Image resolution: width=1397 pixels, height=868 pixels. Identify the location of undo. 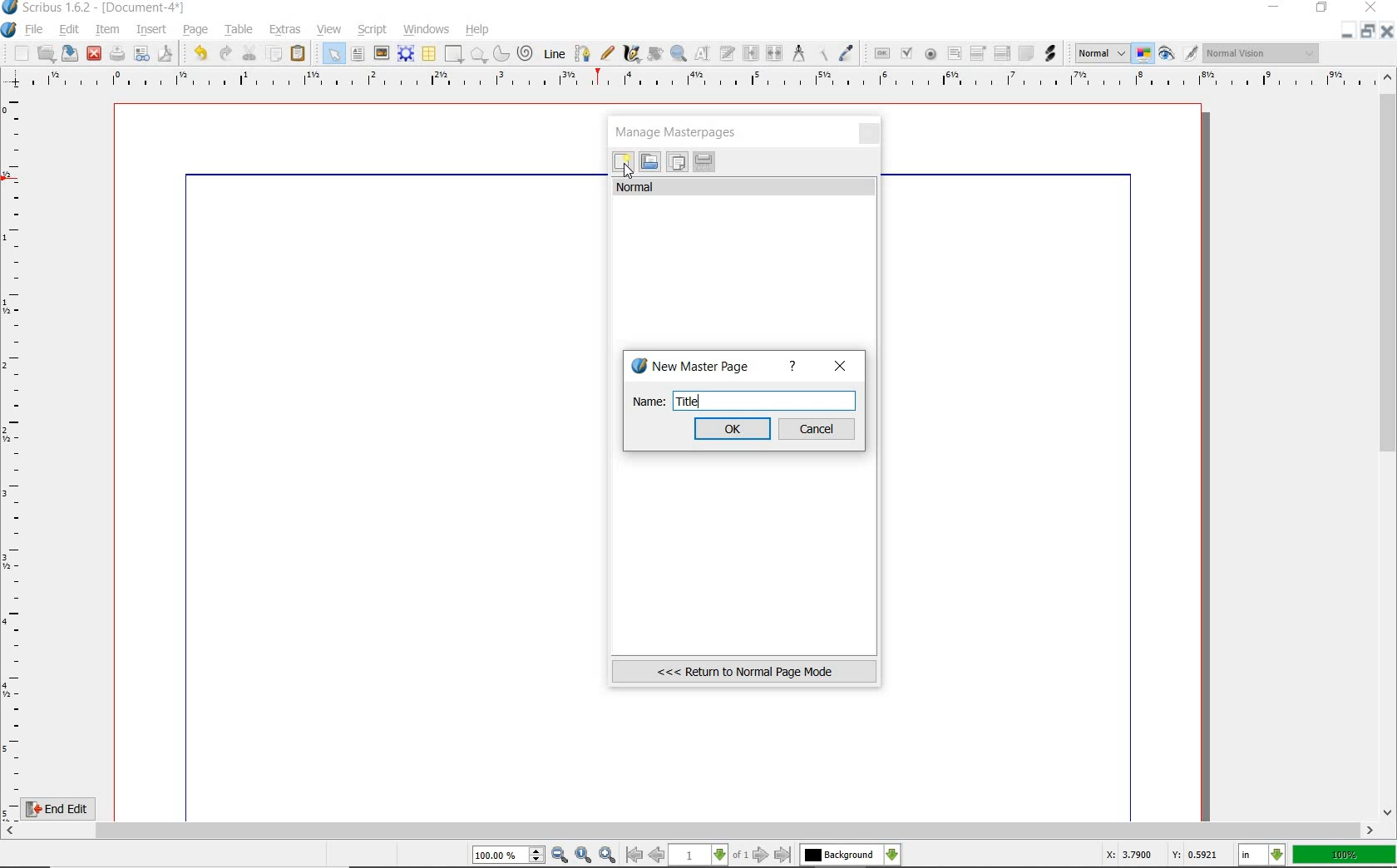
(197, 52).